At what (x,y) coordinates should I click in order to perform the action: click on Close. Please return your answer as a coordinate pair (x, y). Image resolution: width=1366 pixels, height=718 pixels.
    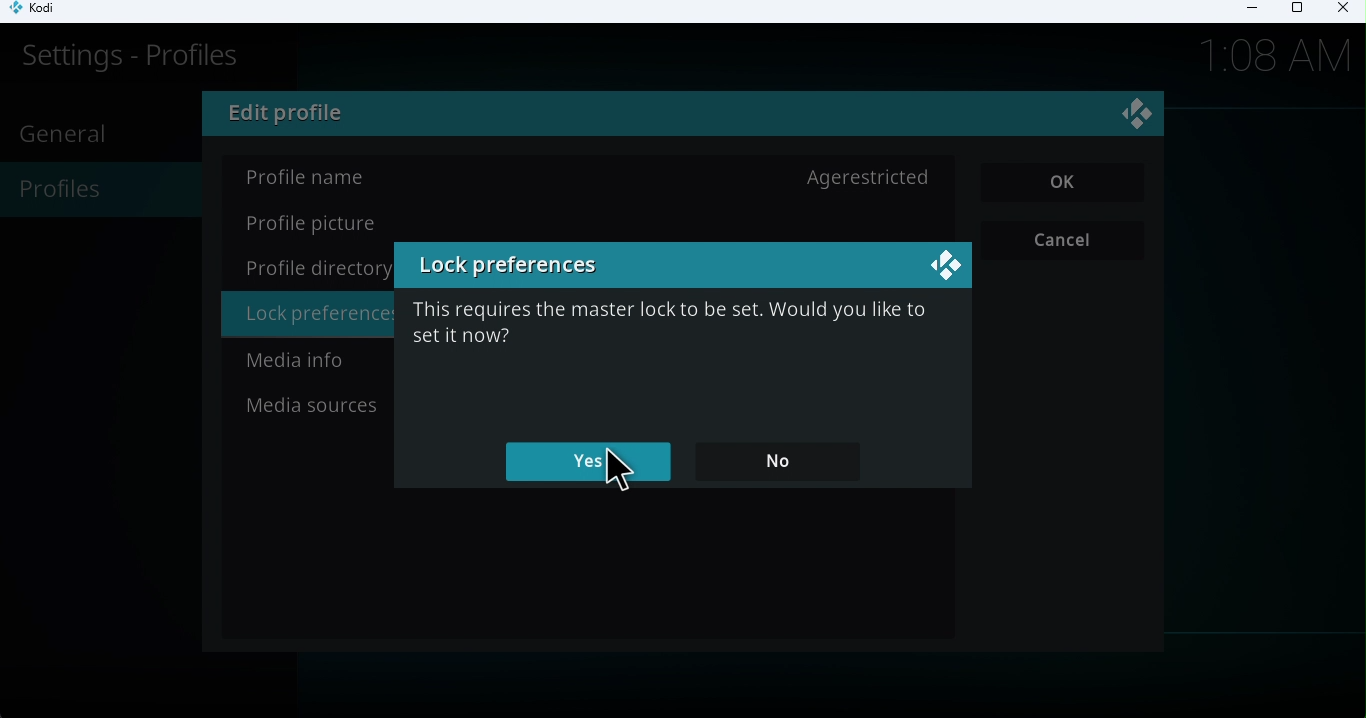
    Looking at the image, I should click on (1140, 117).